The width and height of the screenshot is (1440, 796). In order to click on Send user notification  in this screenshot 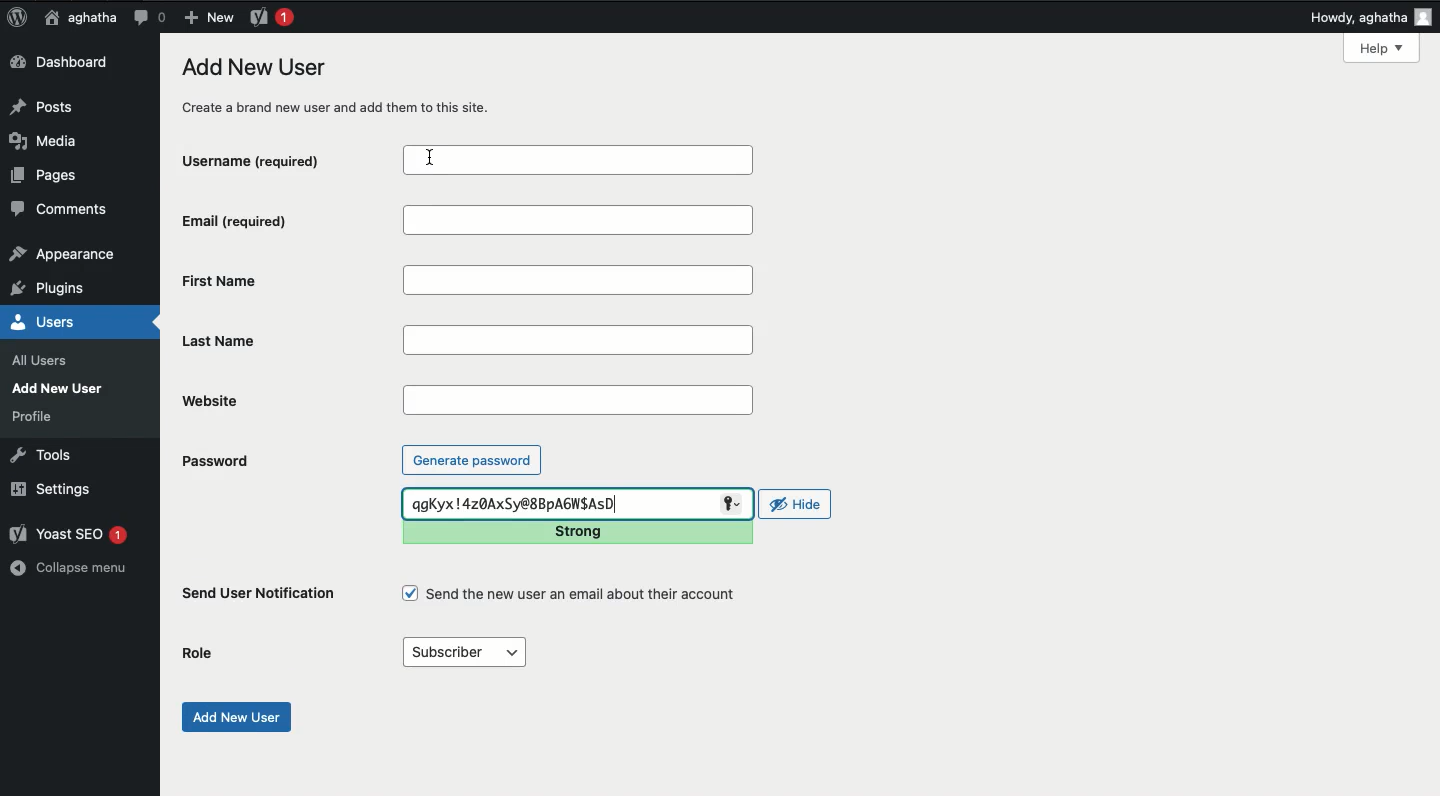, I will do `click(260, 597)`.